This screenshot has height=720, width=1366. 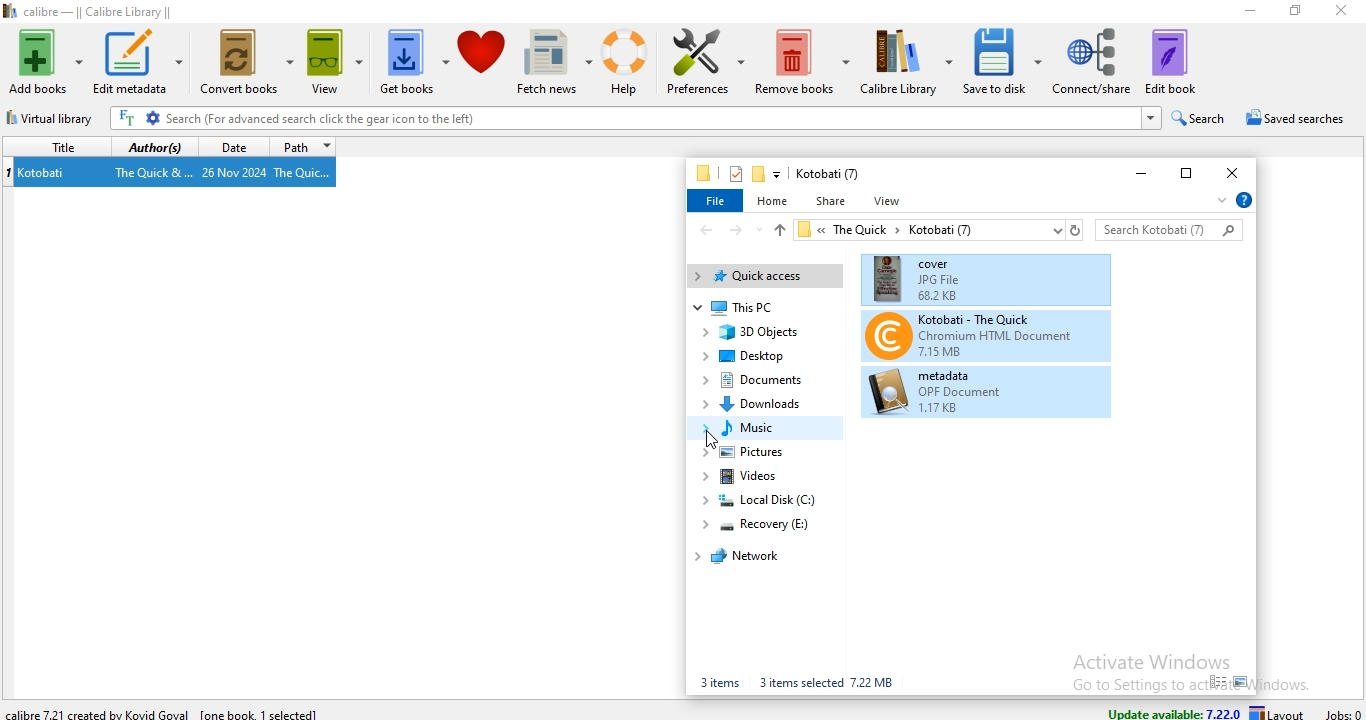 I want to click on network, so click(x=742, y=555).